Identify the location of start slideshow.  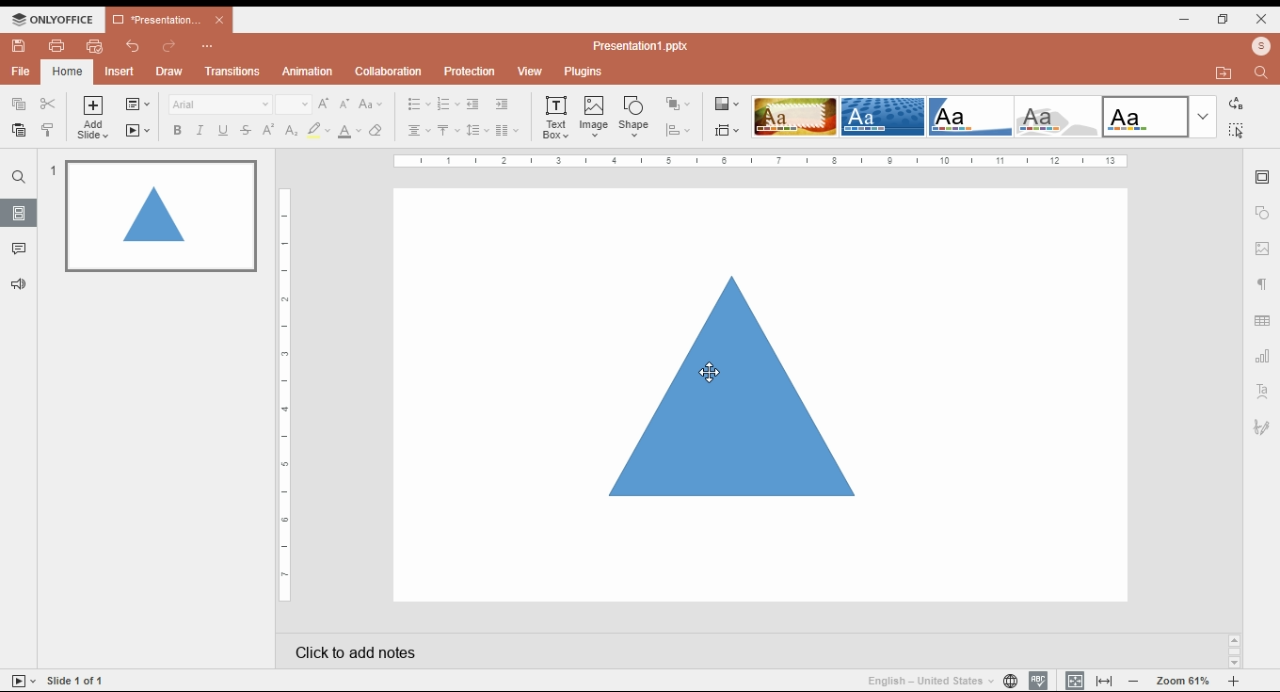
(24, 680).